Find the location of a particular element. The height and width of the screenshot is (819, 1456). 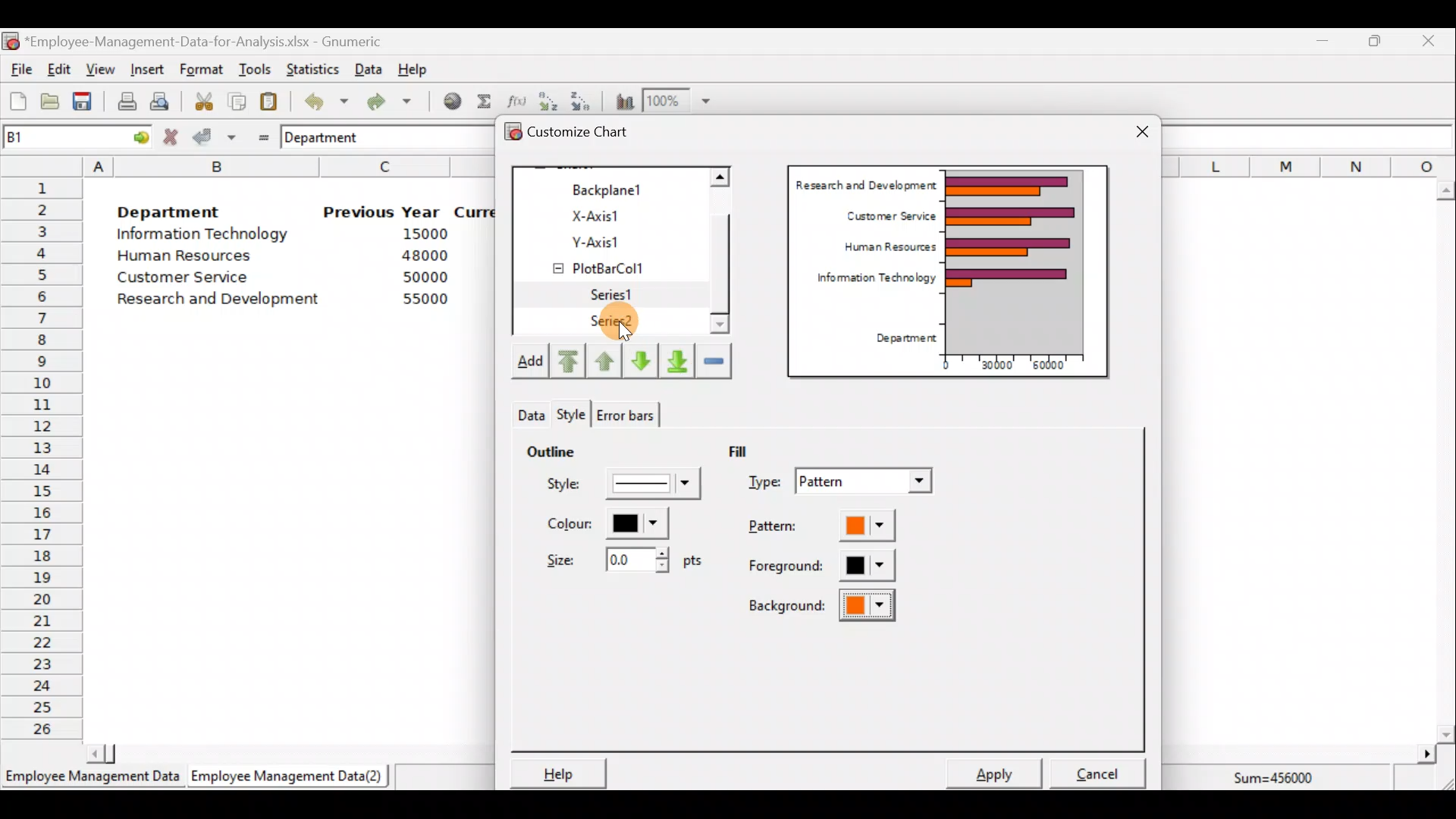

Move upward is located at coordinates (566, 362).